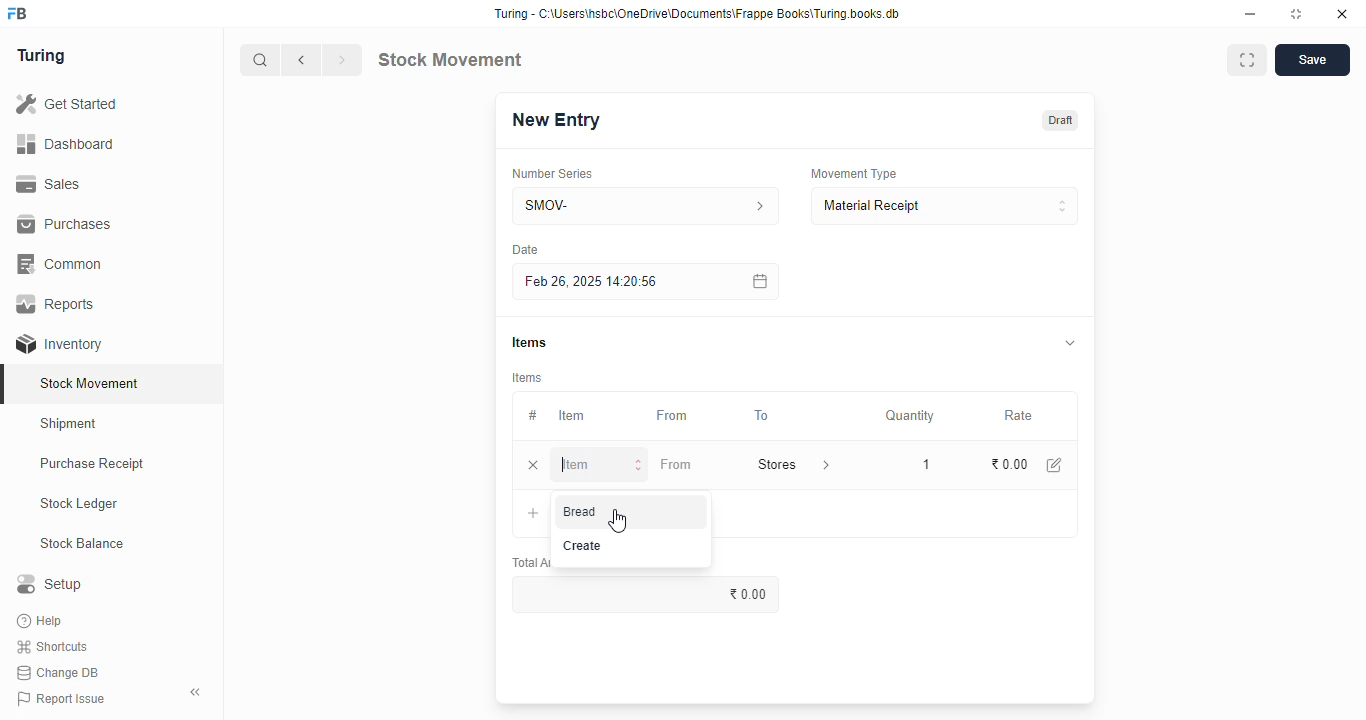 This screenshot has height=720, width=1366. Describe the element at coordinates (528, 378) in the screenshot. I see `items` at that location.